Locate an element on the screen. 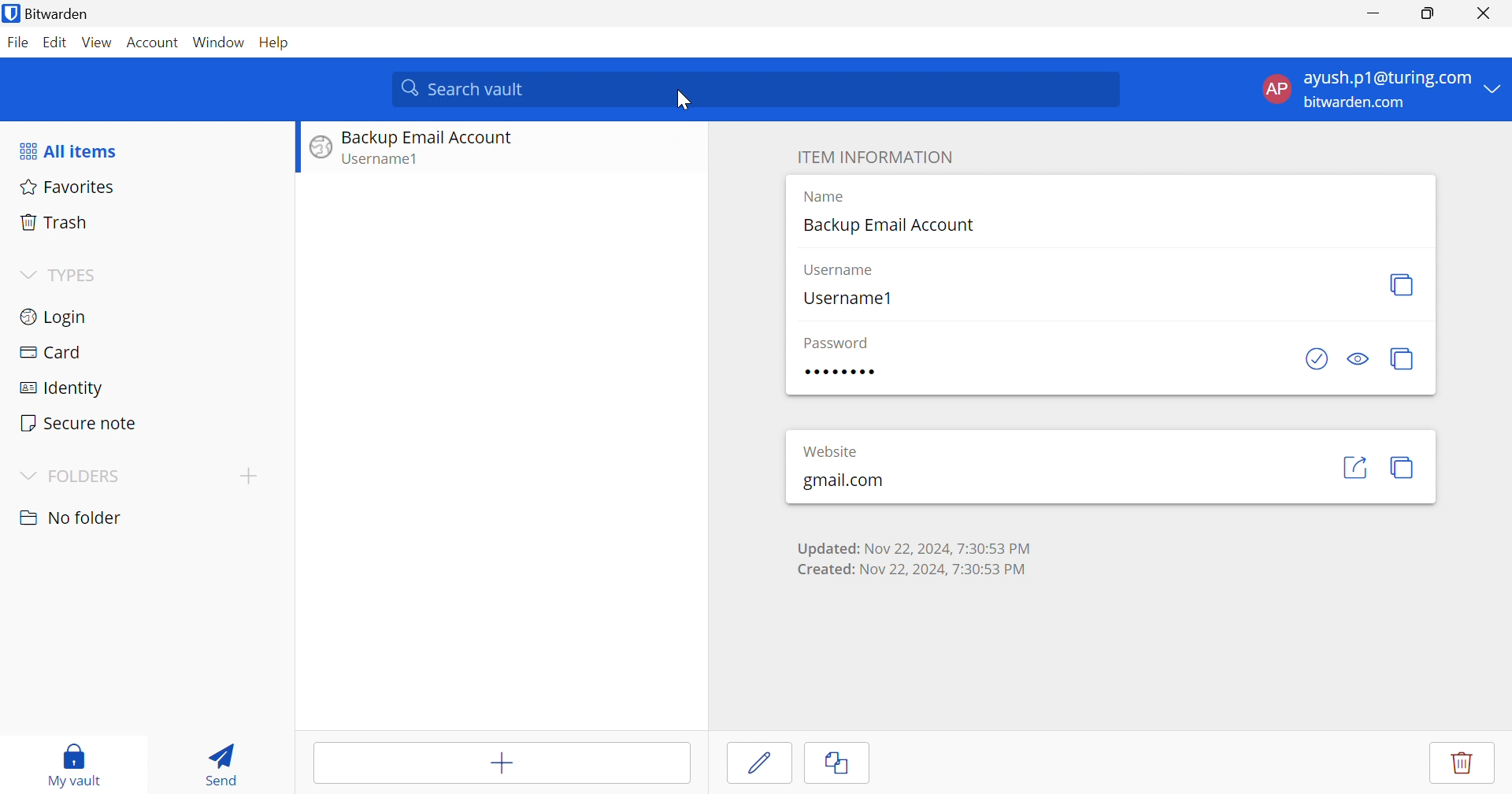 The height and width of the screenshot is (794, 1512). share is located at coordinates (1352, 469).